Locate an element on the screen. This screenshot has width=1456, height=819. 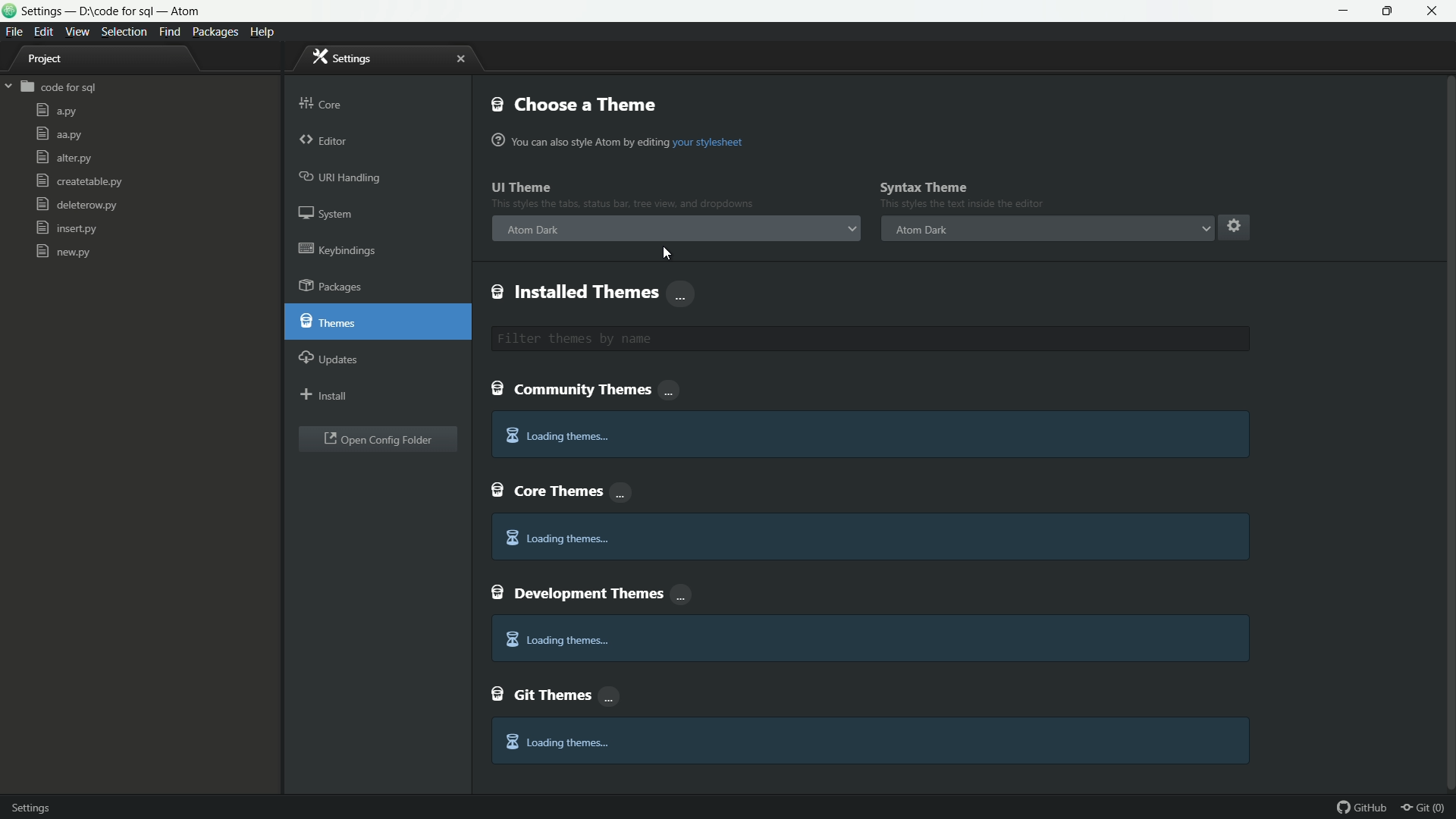
github is located at coordinates (1364, 807).